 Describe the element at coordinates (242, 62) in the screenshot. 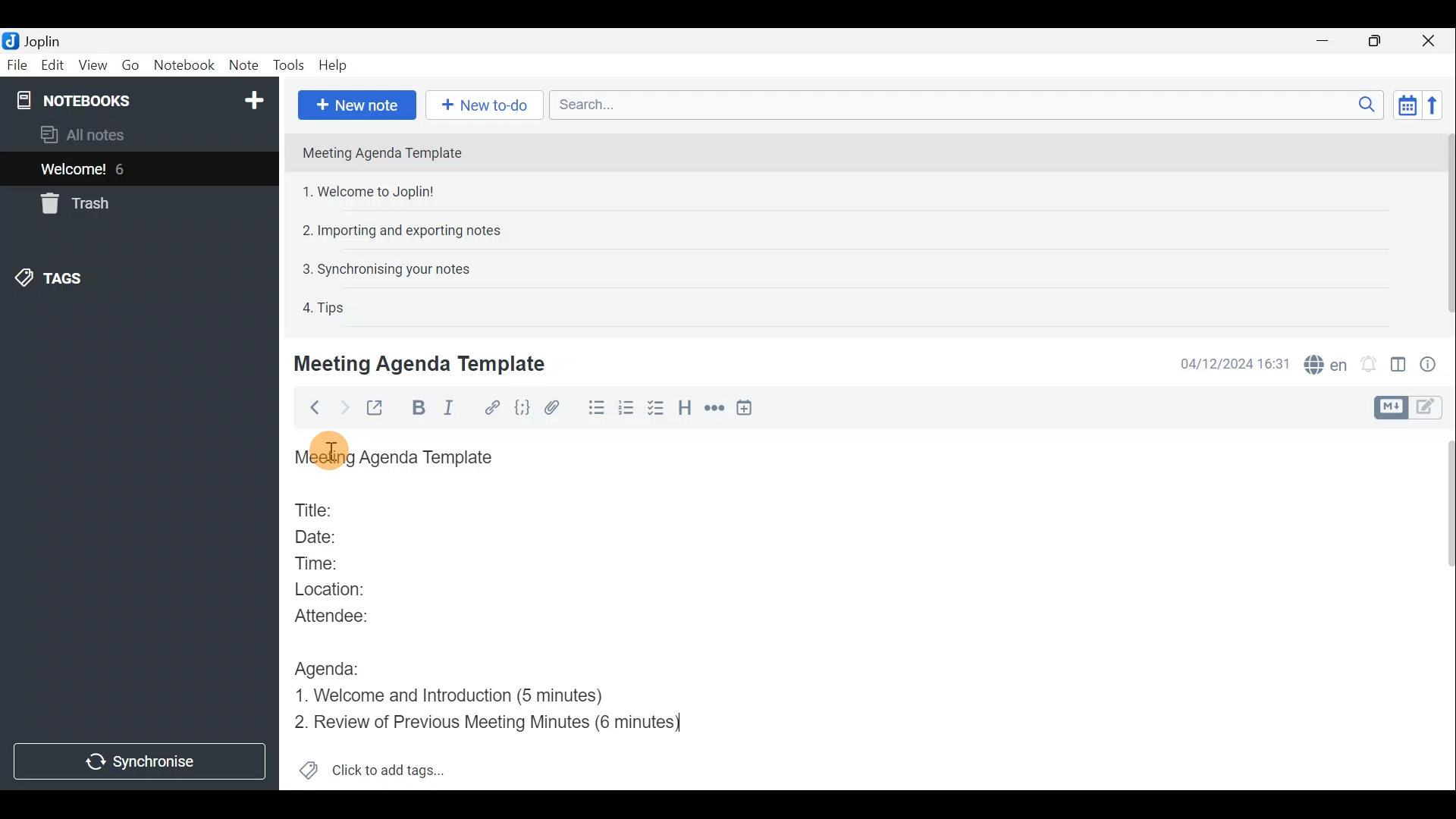

I see `Note` at that location.